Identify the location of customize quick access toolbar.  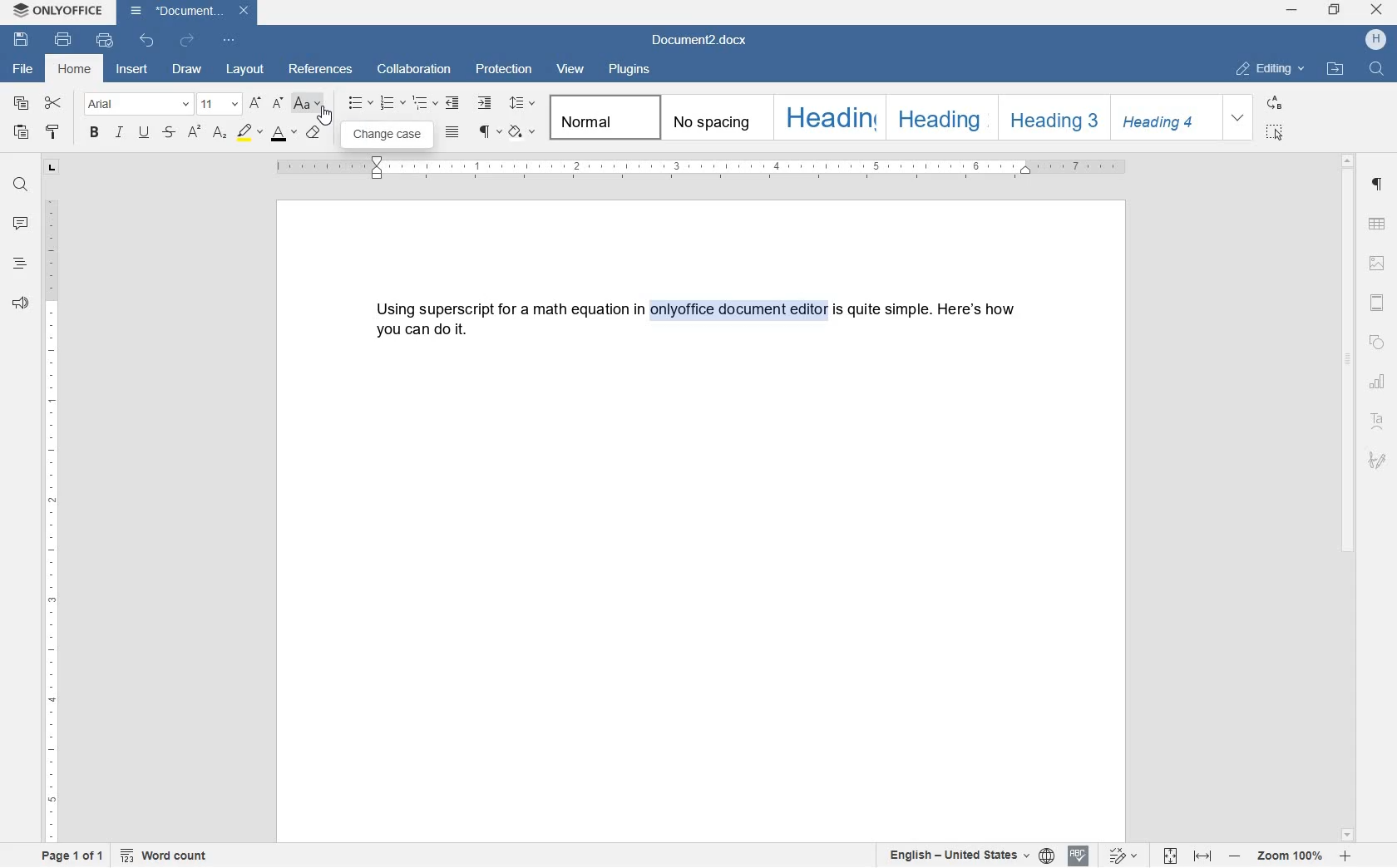
(227, 40).